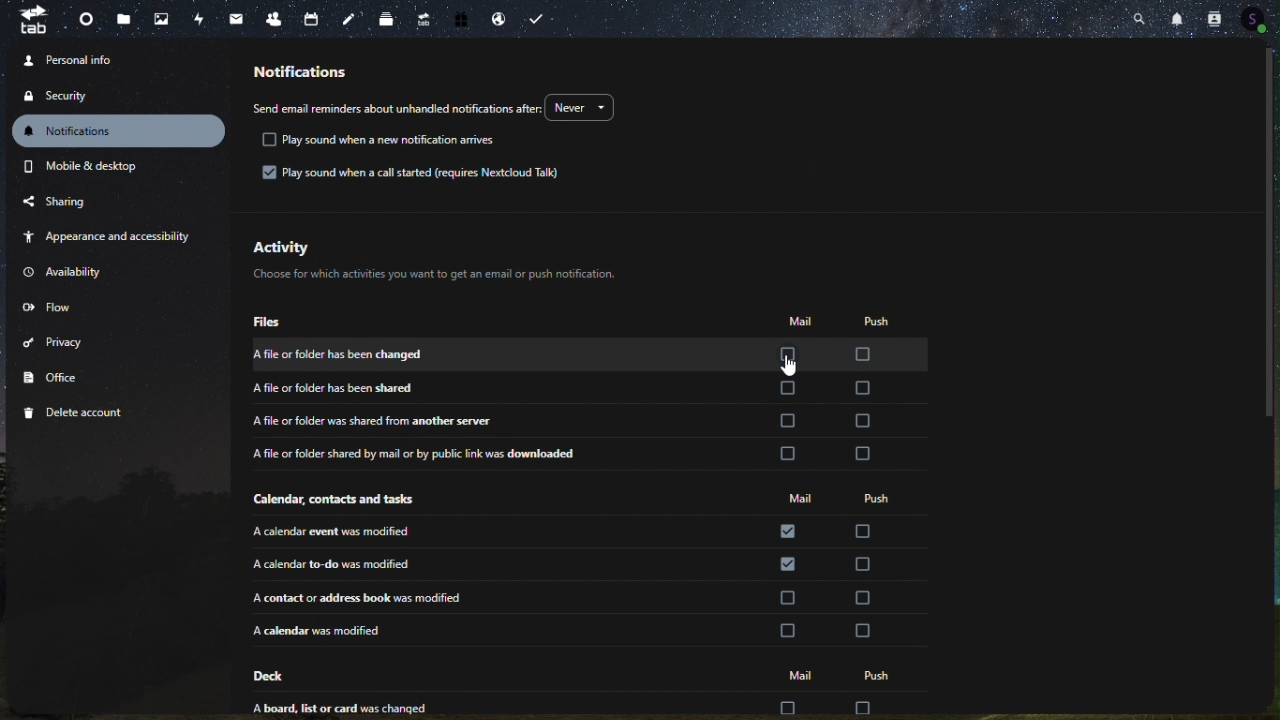 This screenshot has width=1280, height=720. What do you see at coordinates (118, 61) in the screenshot?
I see `personal info` at bounding box center [118, 61].